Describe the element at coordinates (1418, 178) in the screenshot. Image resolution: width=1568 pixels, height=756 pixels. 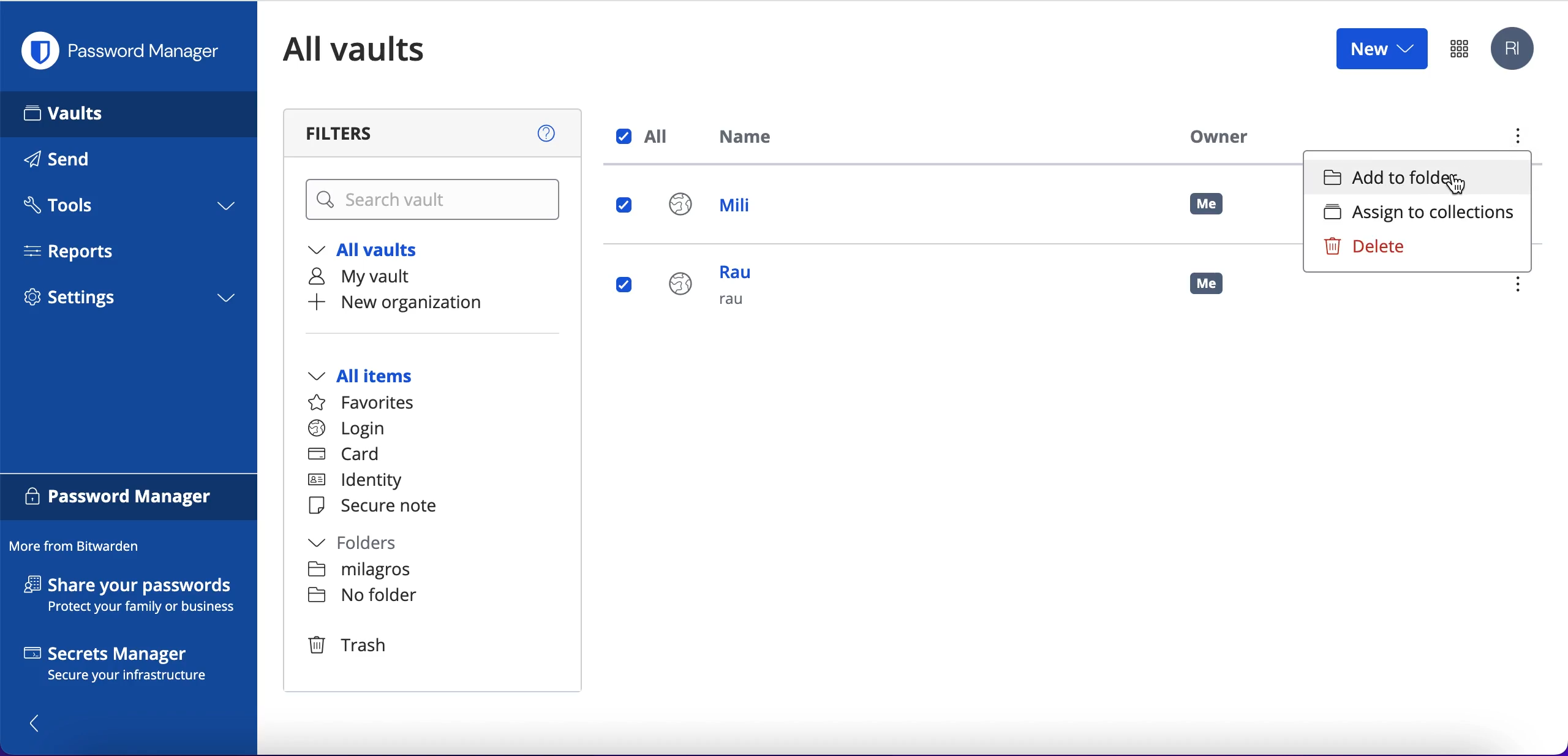
I see `add to folder` at that location.